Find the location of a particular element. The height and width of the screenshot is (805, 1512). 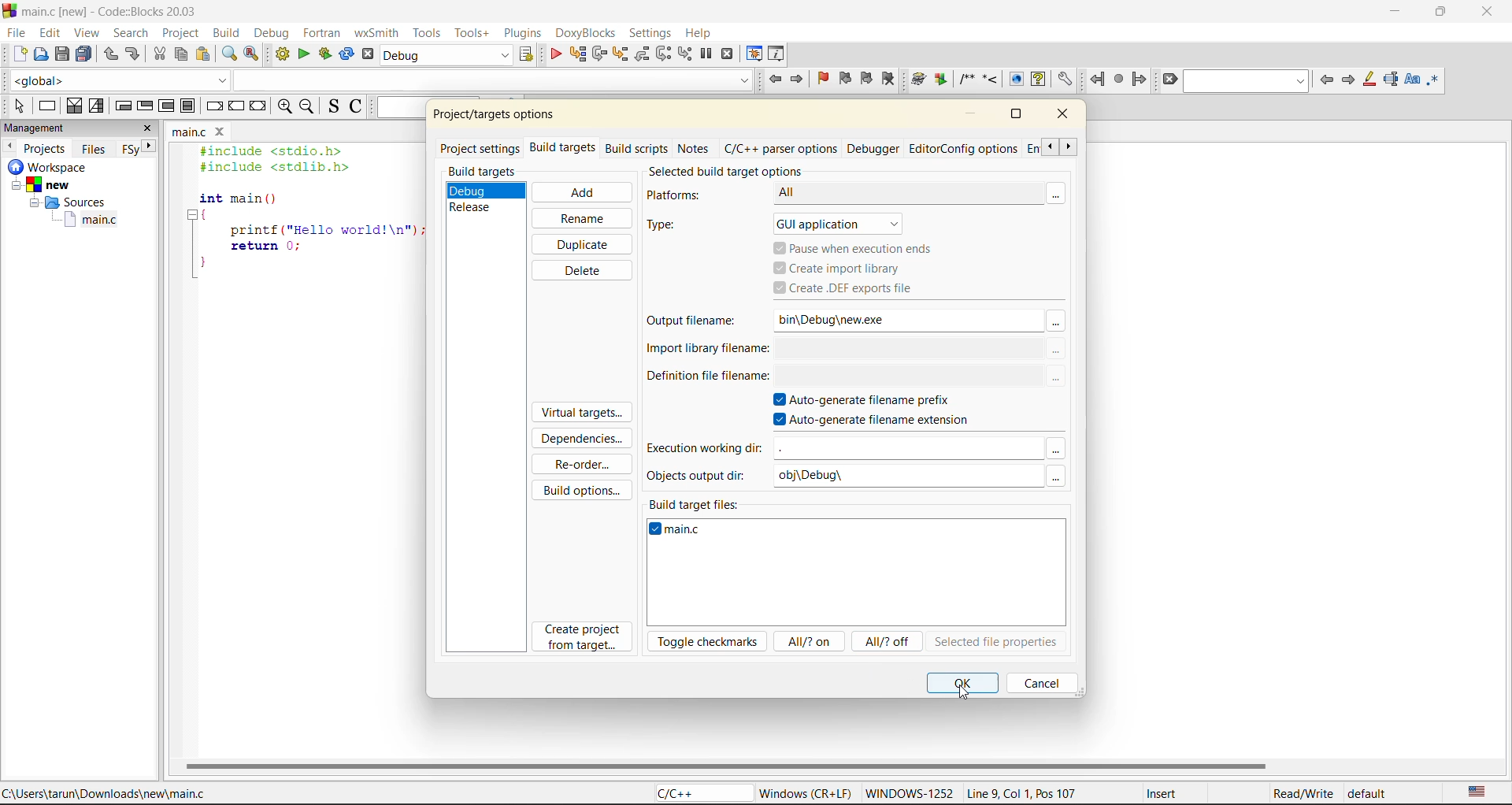

gui application is located at coordinates (828, 224).